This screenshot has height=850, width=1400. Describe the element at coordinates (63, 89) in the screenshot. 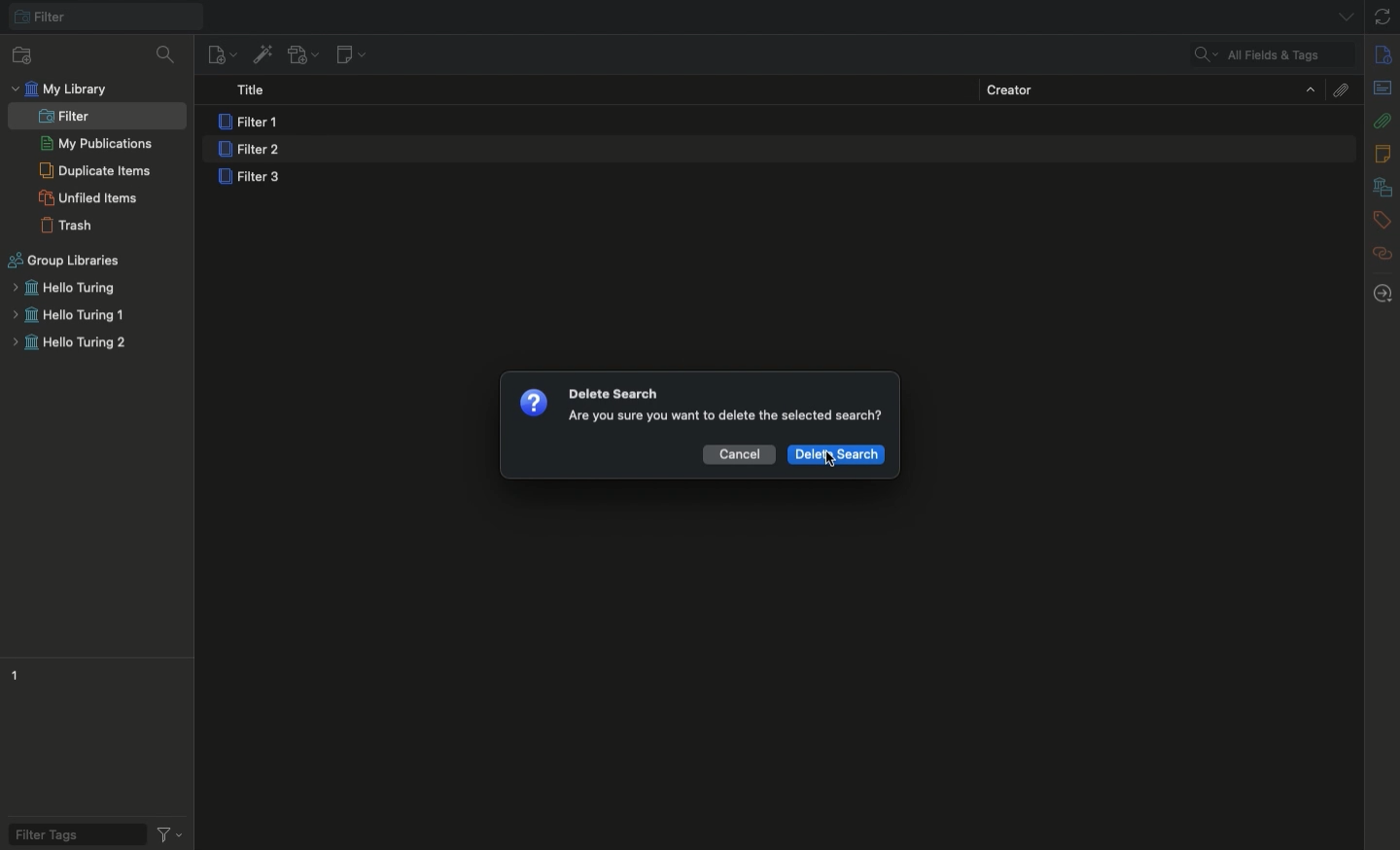

I see `My library` at that location.